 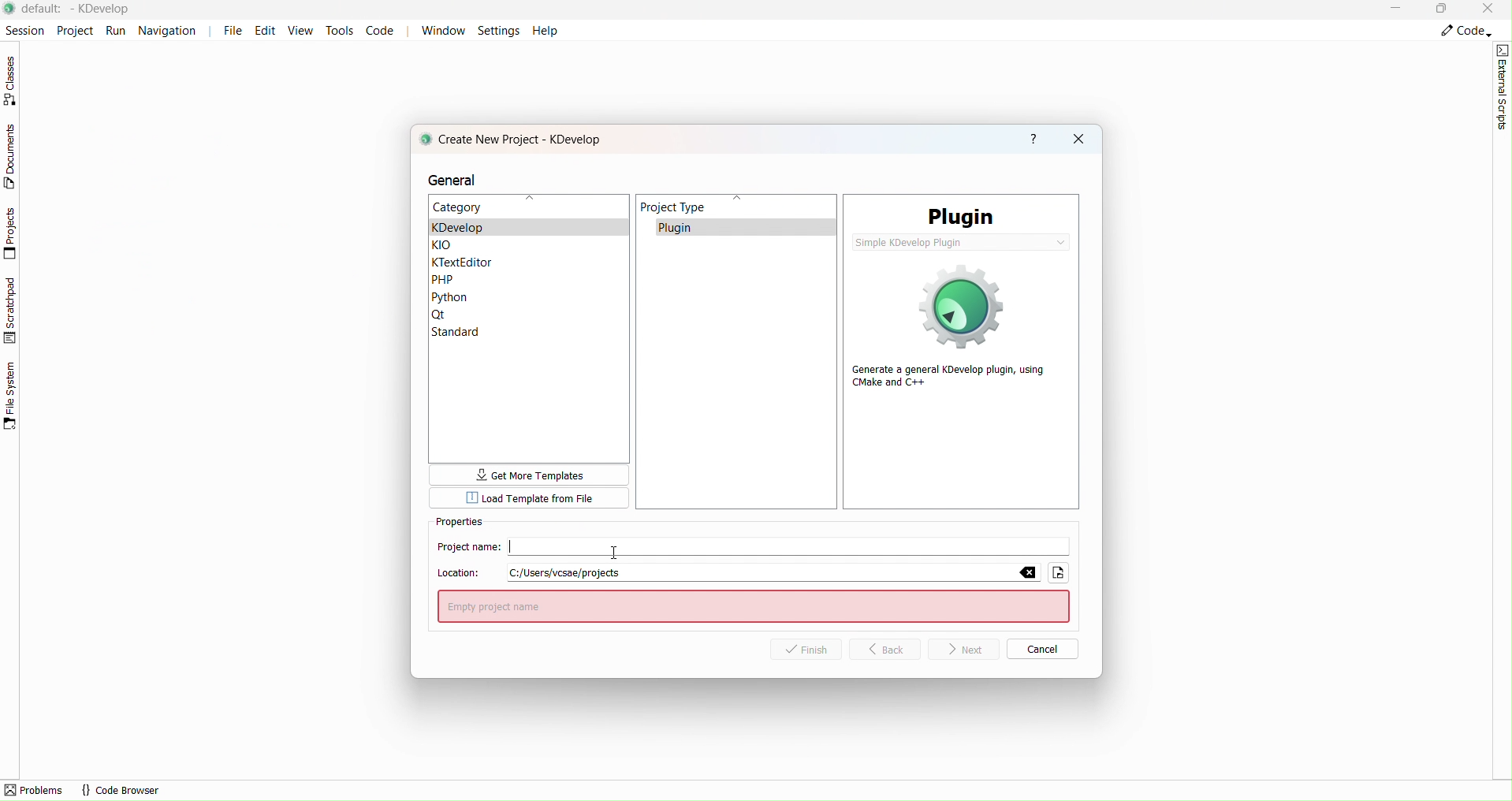 What do you see at coordinates (1041, 651) in the screenshot?
I see `Cancel` at bounding box center [1041, 651].